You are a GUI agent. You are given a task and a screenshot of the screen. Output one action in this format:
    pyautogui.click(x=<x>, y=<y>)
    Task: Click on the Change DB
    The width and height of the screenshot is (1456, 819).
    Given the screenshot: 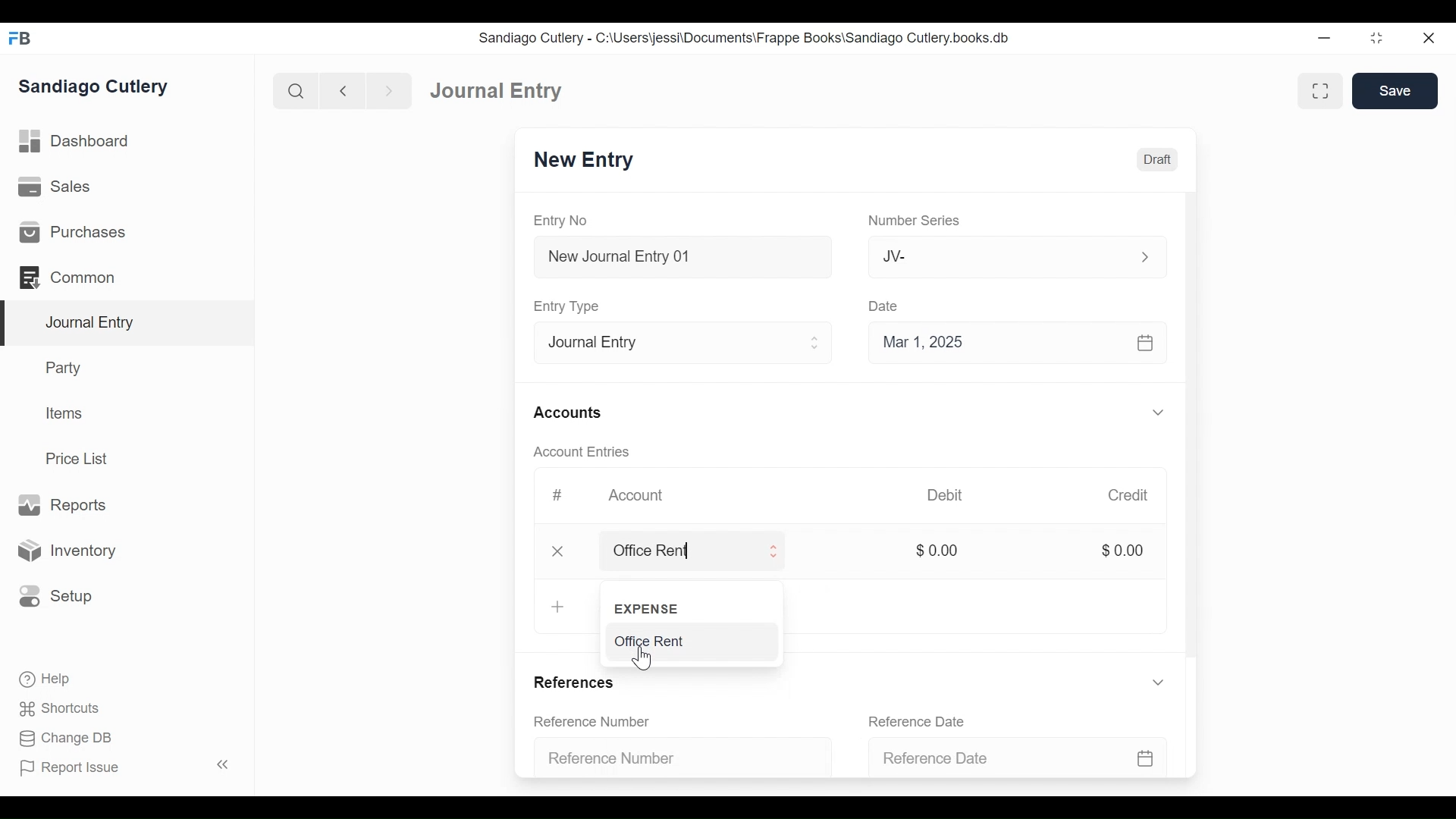 What is the action you would take?
    pyautogui.click(x=59, y=739)
    